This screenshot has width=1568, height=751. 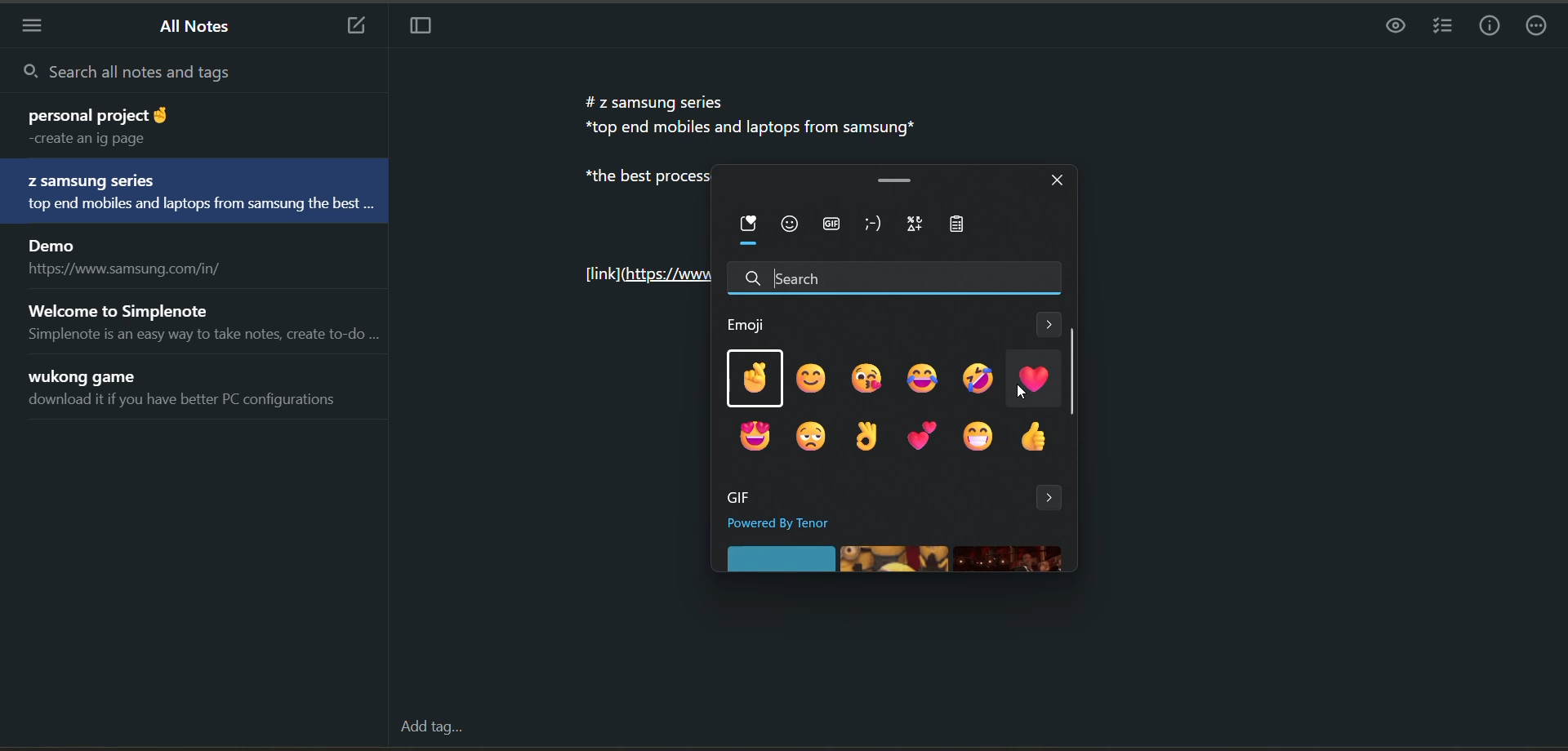 What do you see at coordinates (751, 323) in the screenshot?
I see `emoji` at bounding box center [751, 323].